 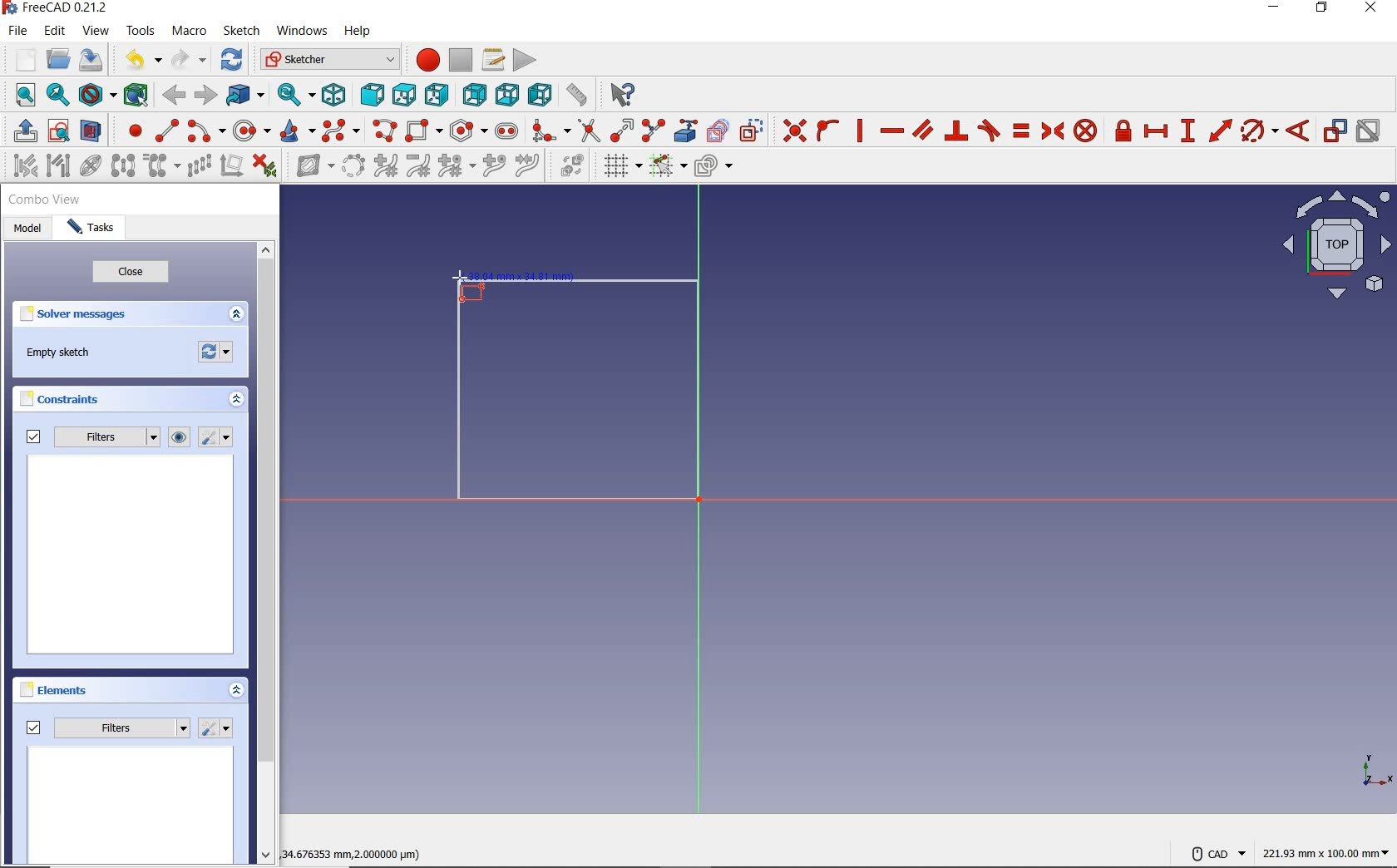 What do you see at coordinates (235, 689) in the screenshot?
I see `expand` at bounding box center [235, 689].